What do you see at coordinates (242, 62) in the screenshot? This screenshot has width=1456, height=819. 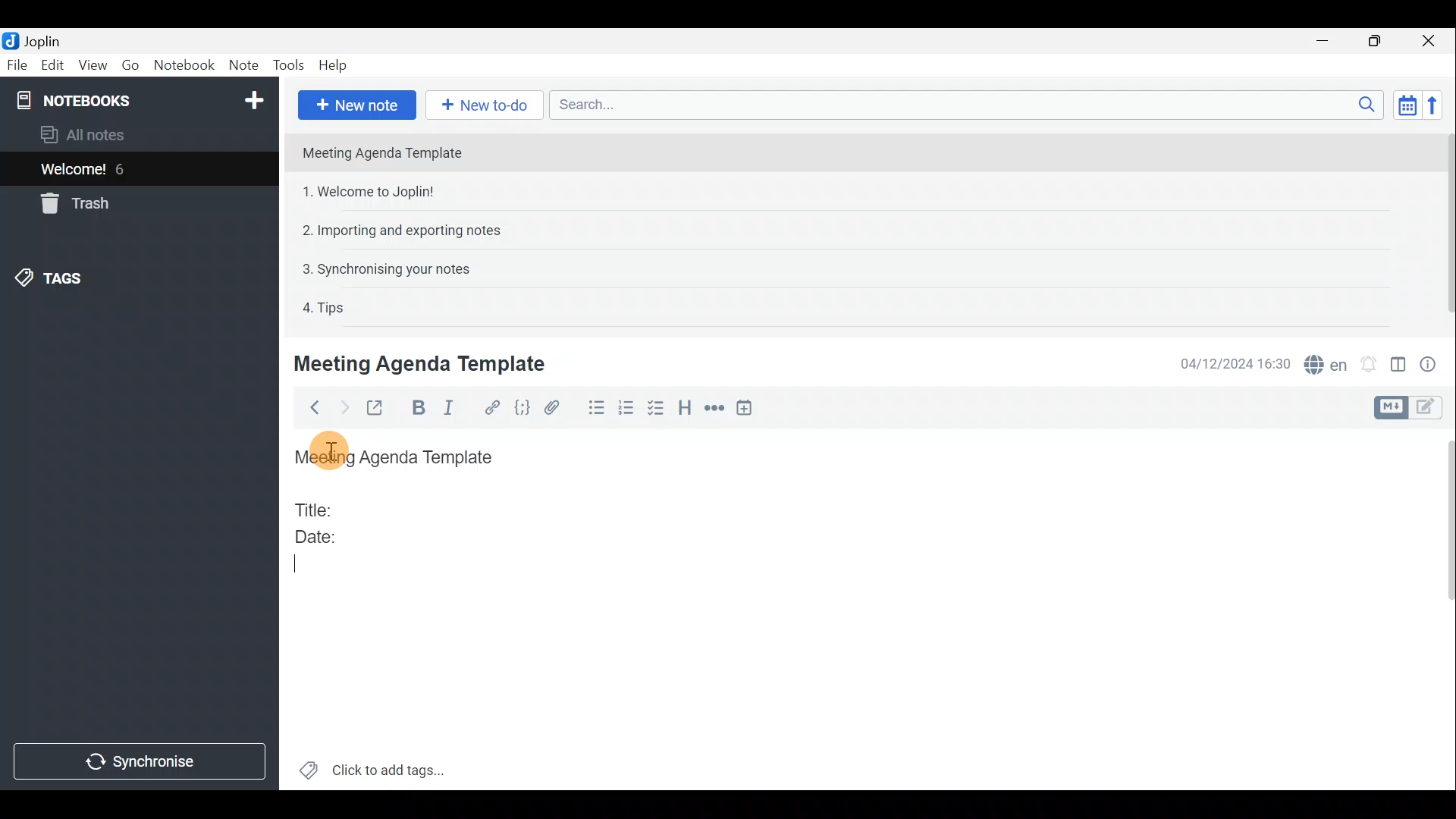 I see `Note` at bounding box center [242, 62].